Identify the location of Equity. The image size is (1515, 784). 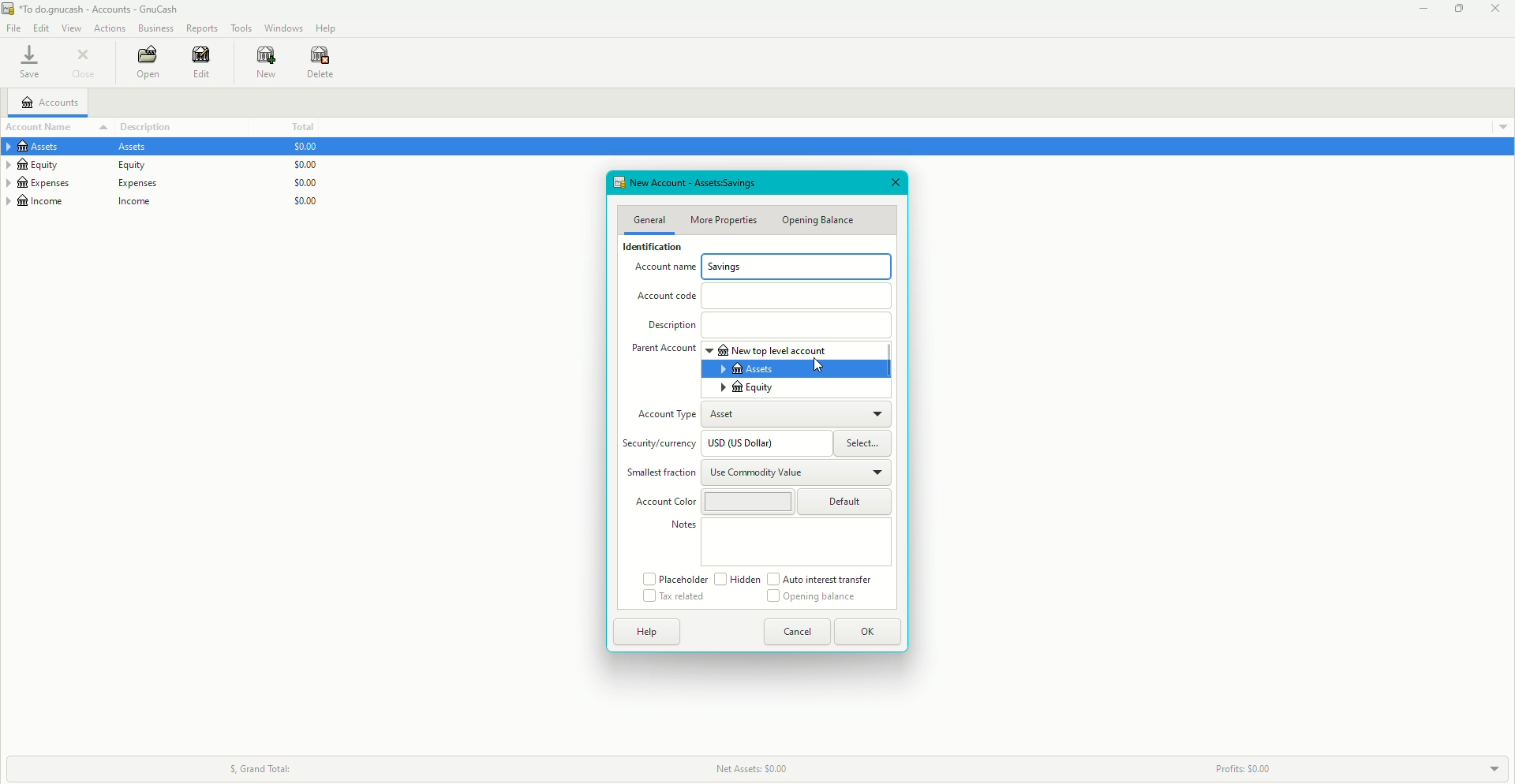
(749, 388).